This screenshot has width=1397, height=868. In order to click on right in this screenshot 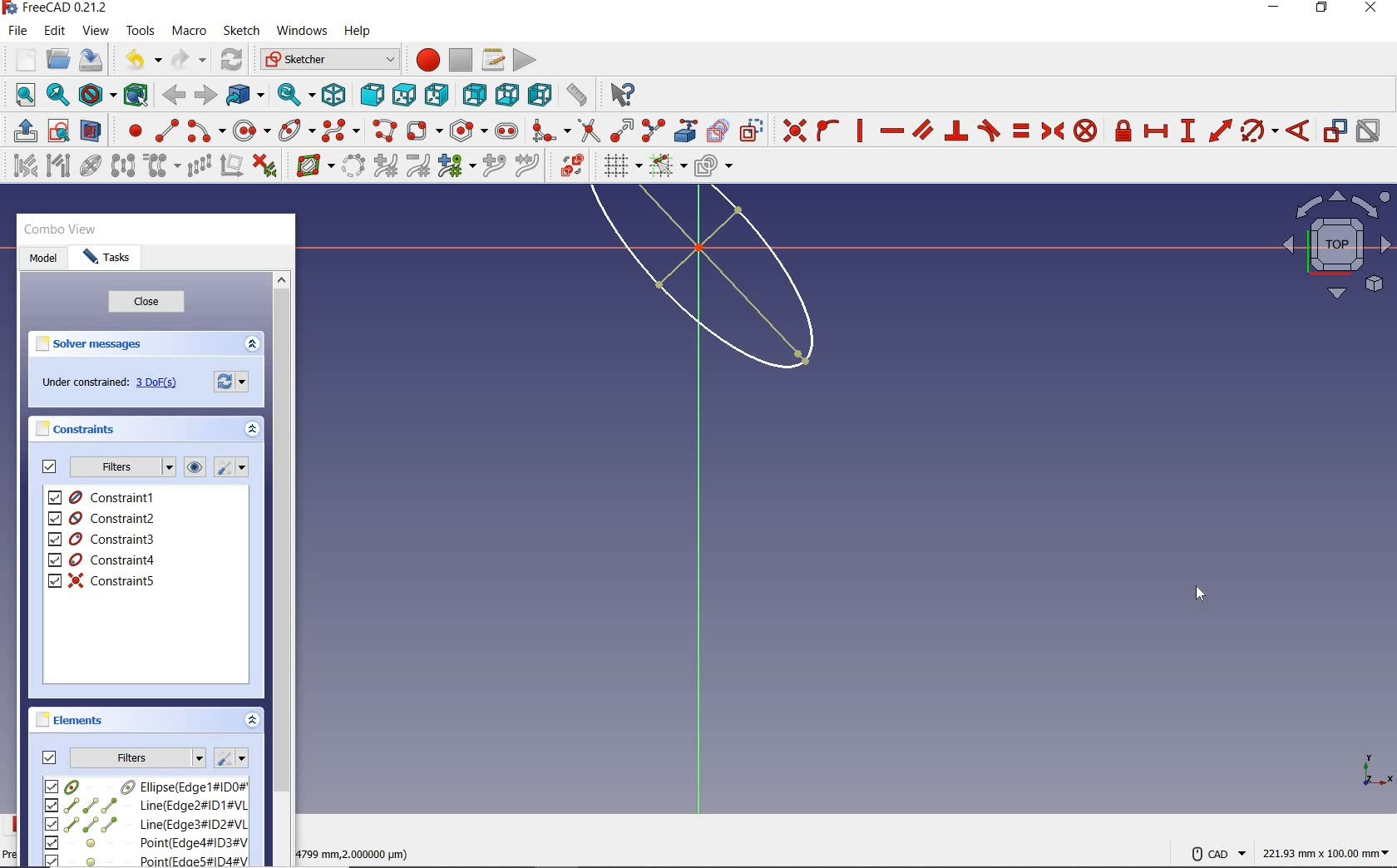, I will do `click(437, 94)`.